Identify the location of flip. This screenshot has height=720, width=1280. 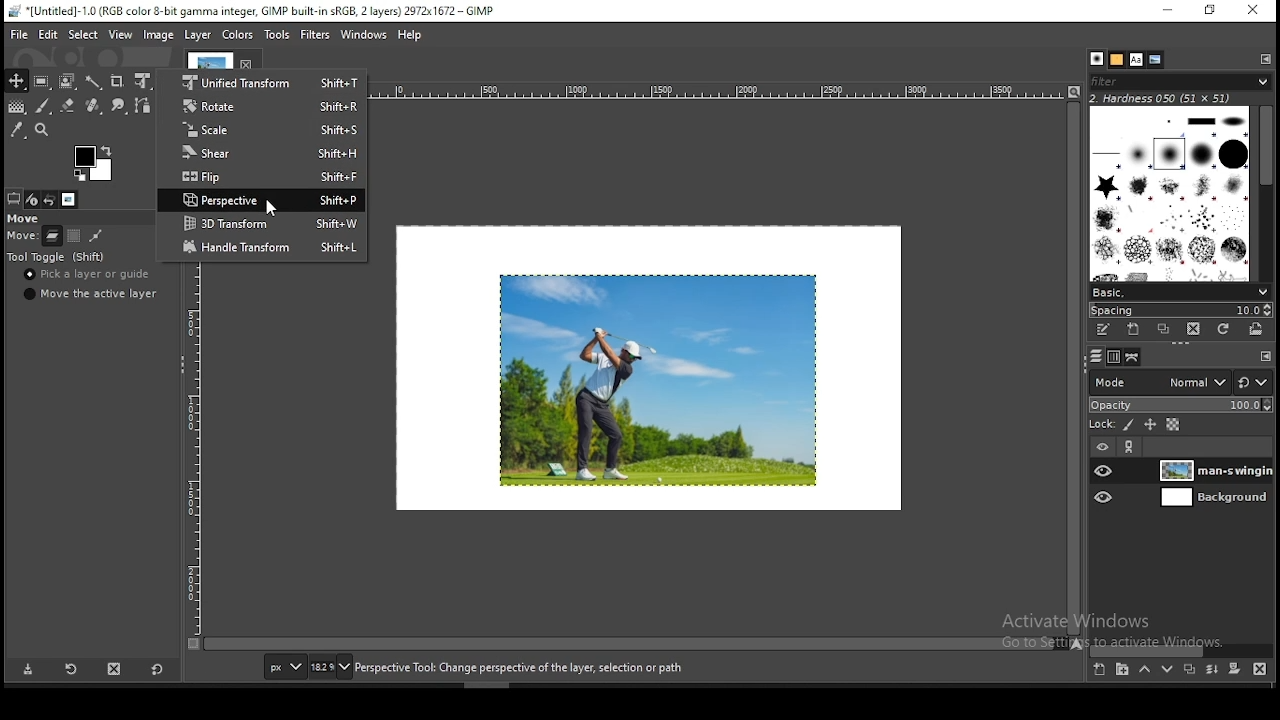
(263, 178).